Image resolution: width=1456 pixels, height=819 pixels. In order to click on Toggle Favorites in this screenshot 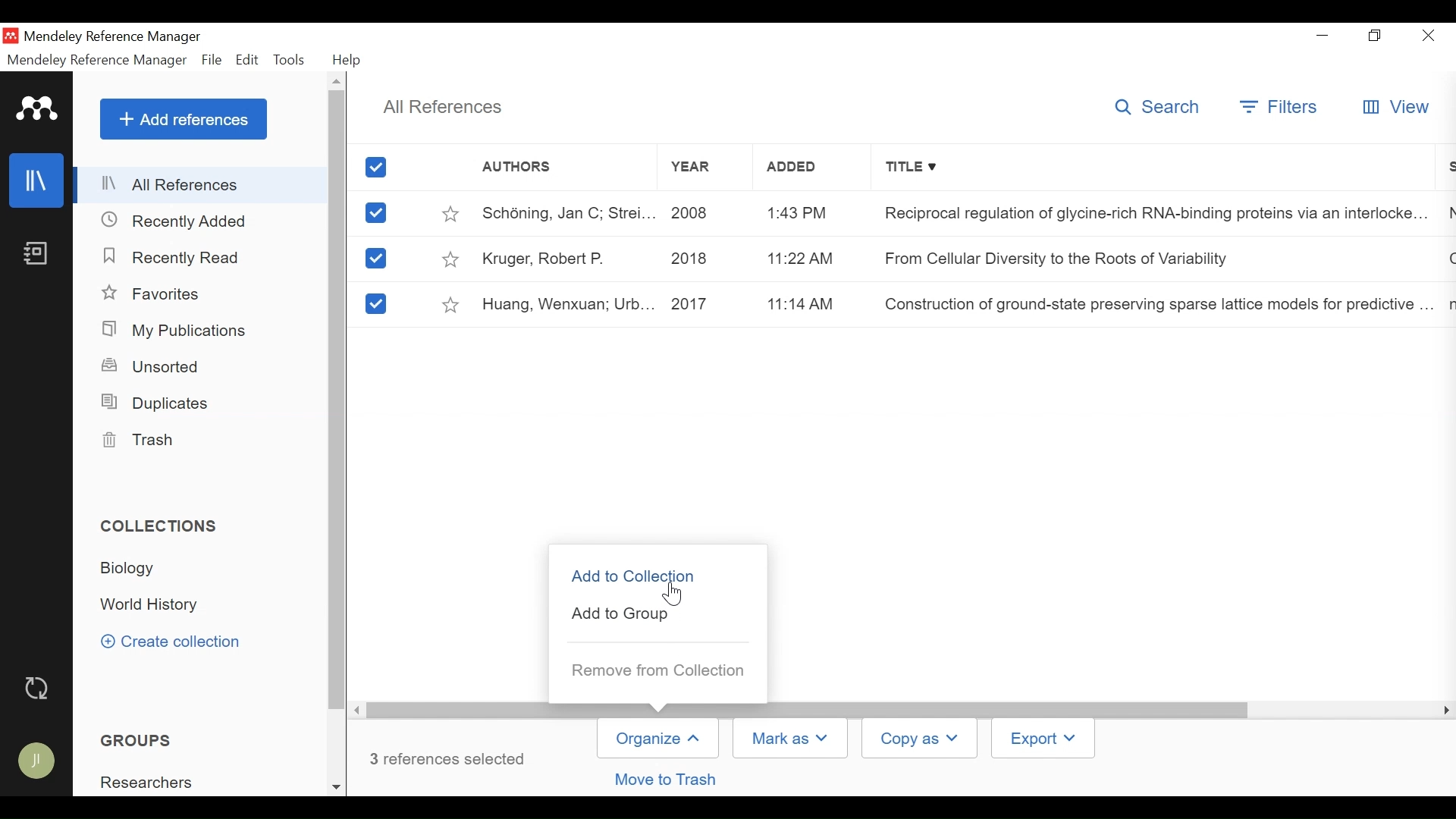, I will do `click(450, 303)`.